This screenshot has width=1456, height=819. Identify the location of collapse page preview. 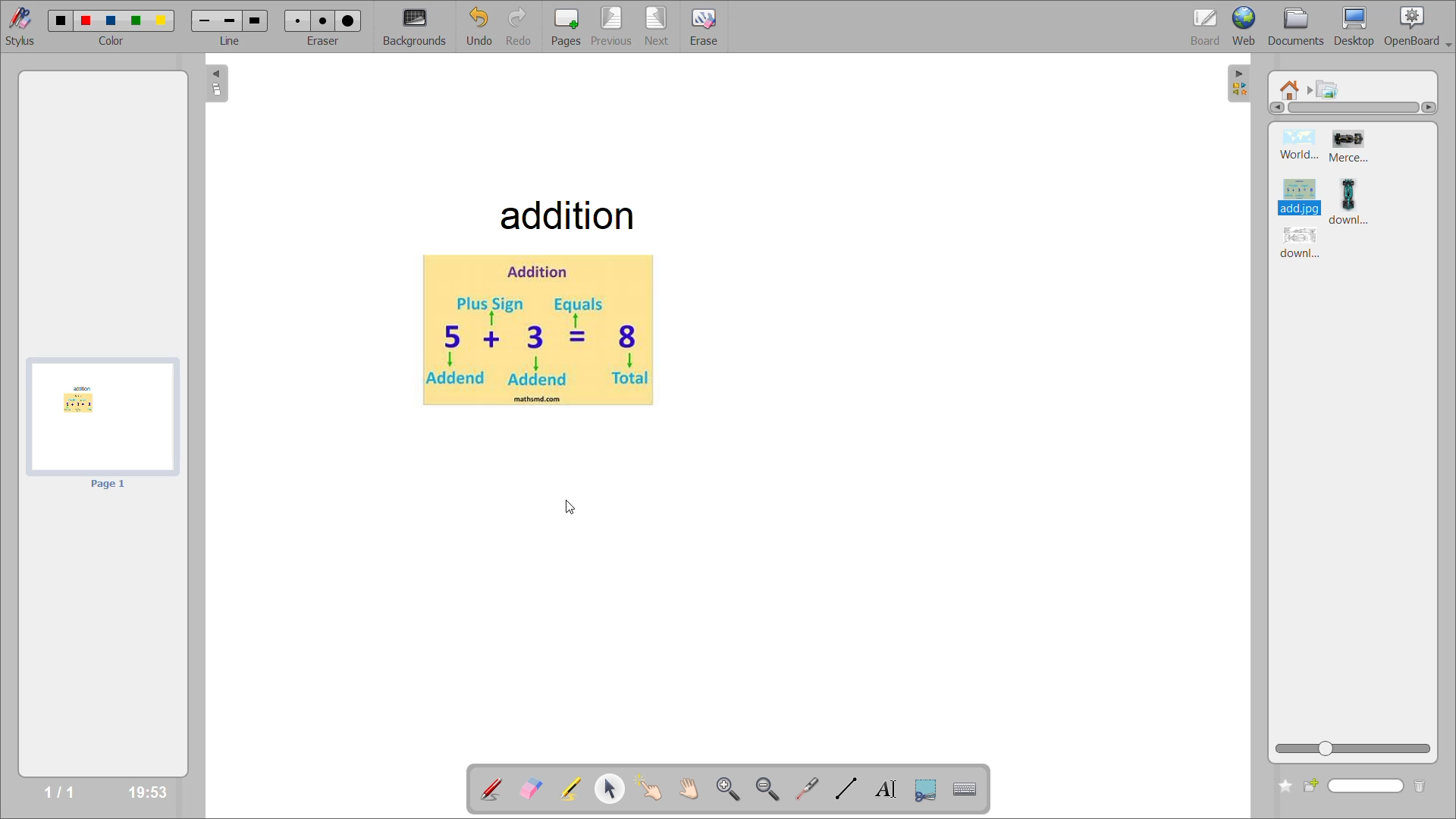
(218, 83).